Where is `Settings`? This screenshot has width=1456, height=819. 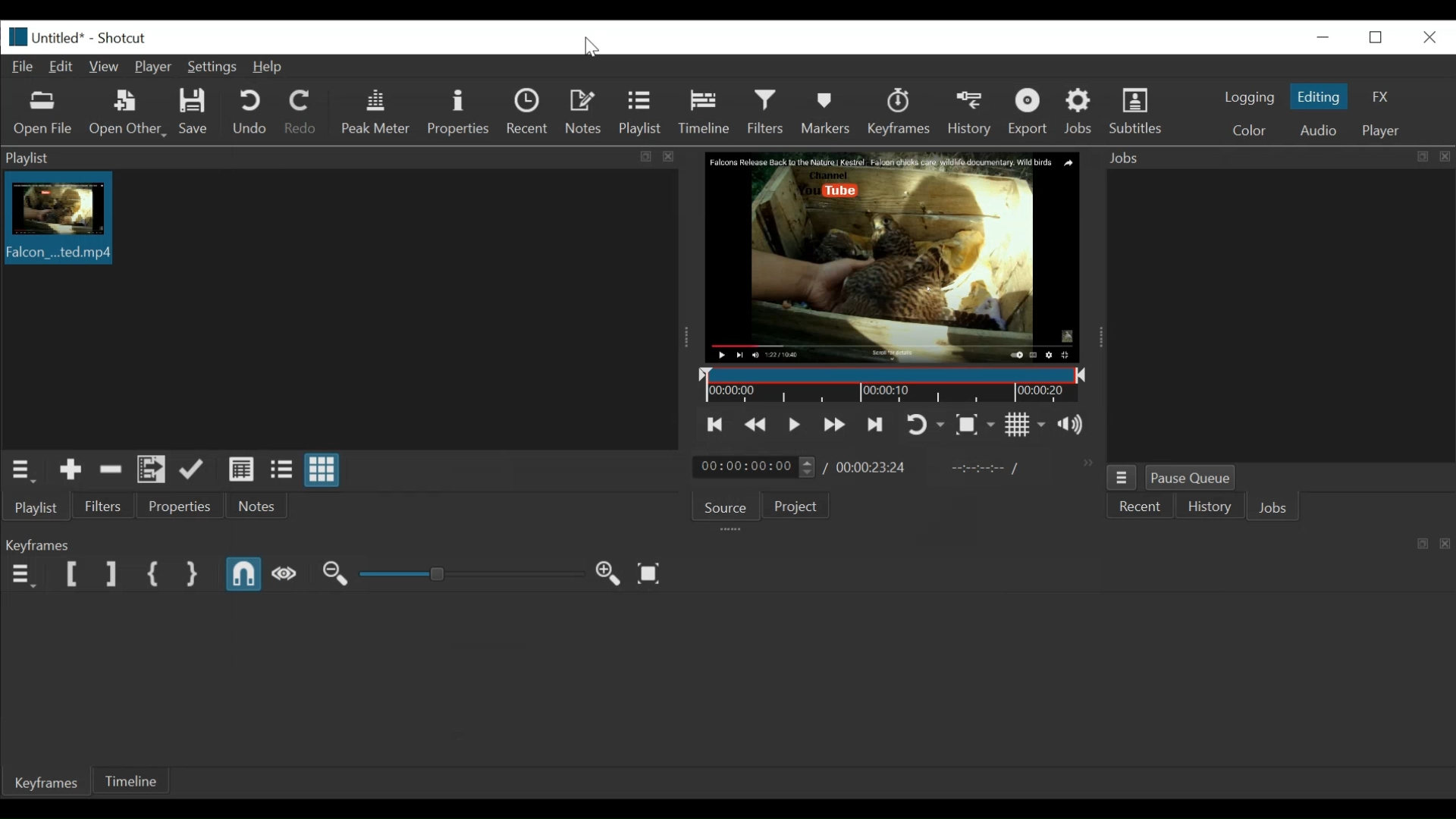 Settings is located at coordinates (212, 66).